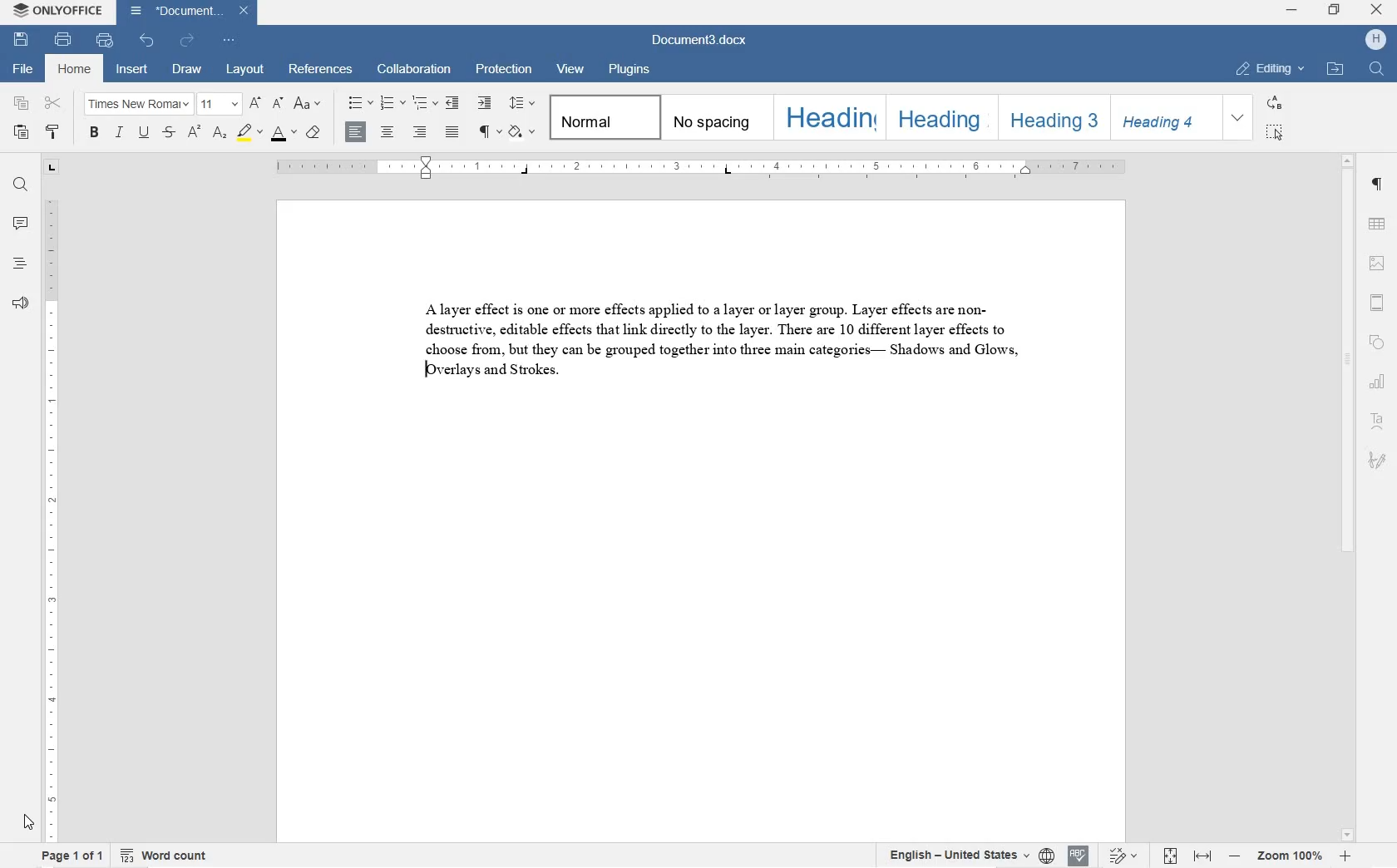  What do you see at coordinates (416, 69) in the screenshot?
I see `collaboration` at bounding box center [416, 69].